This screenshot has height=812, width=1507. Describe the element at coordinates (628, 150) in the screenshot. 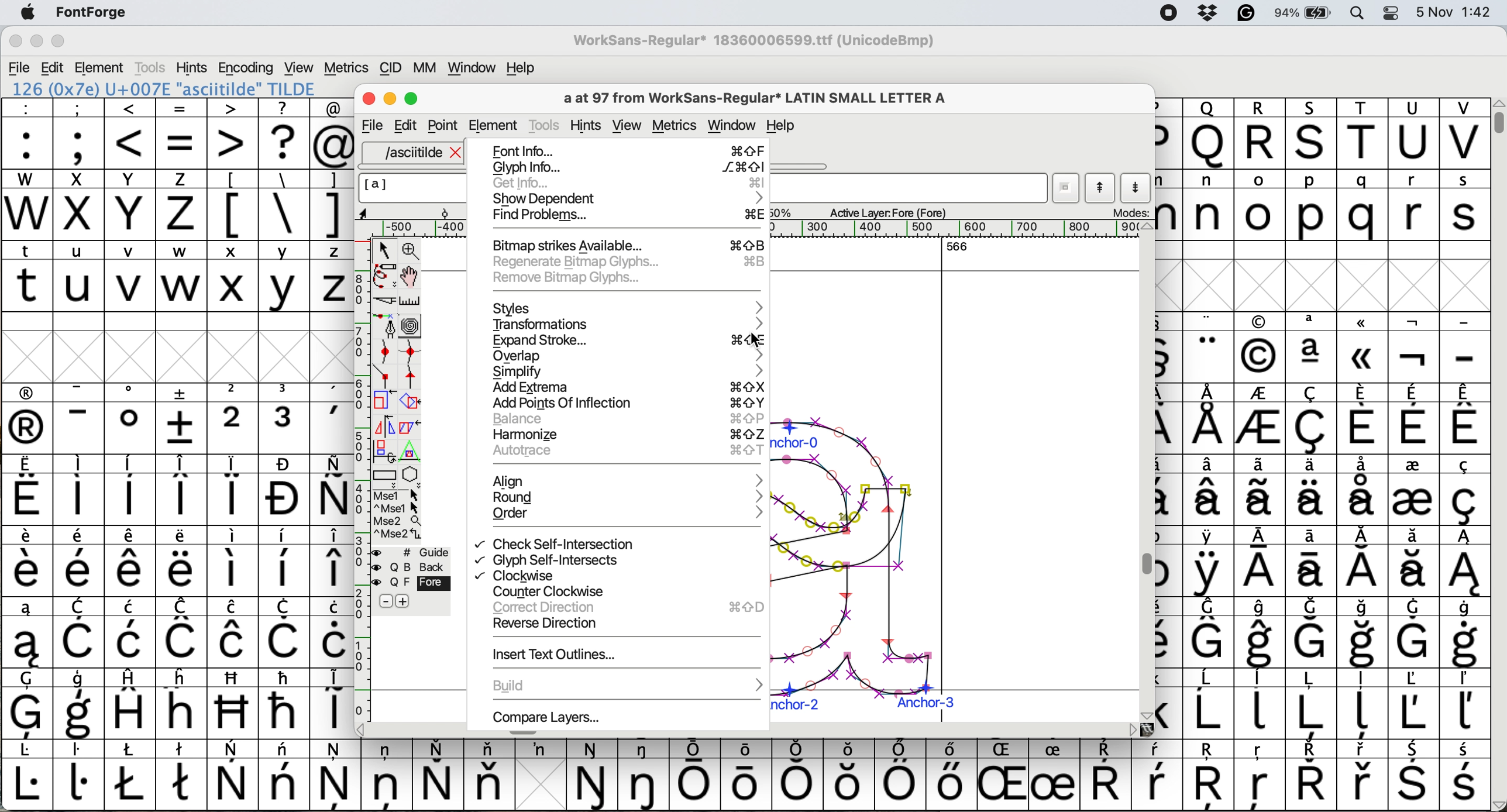

I see `font info` at that location.